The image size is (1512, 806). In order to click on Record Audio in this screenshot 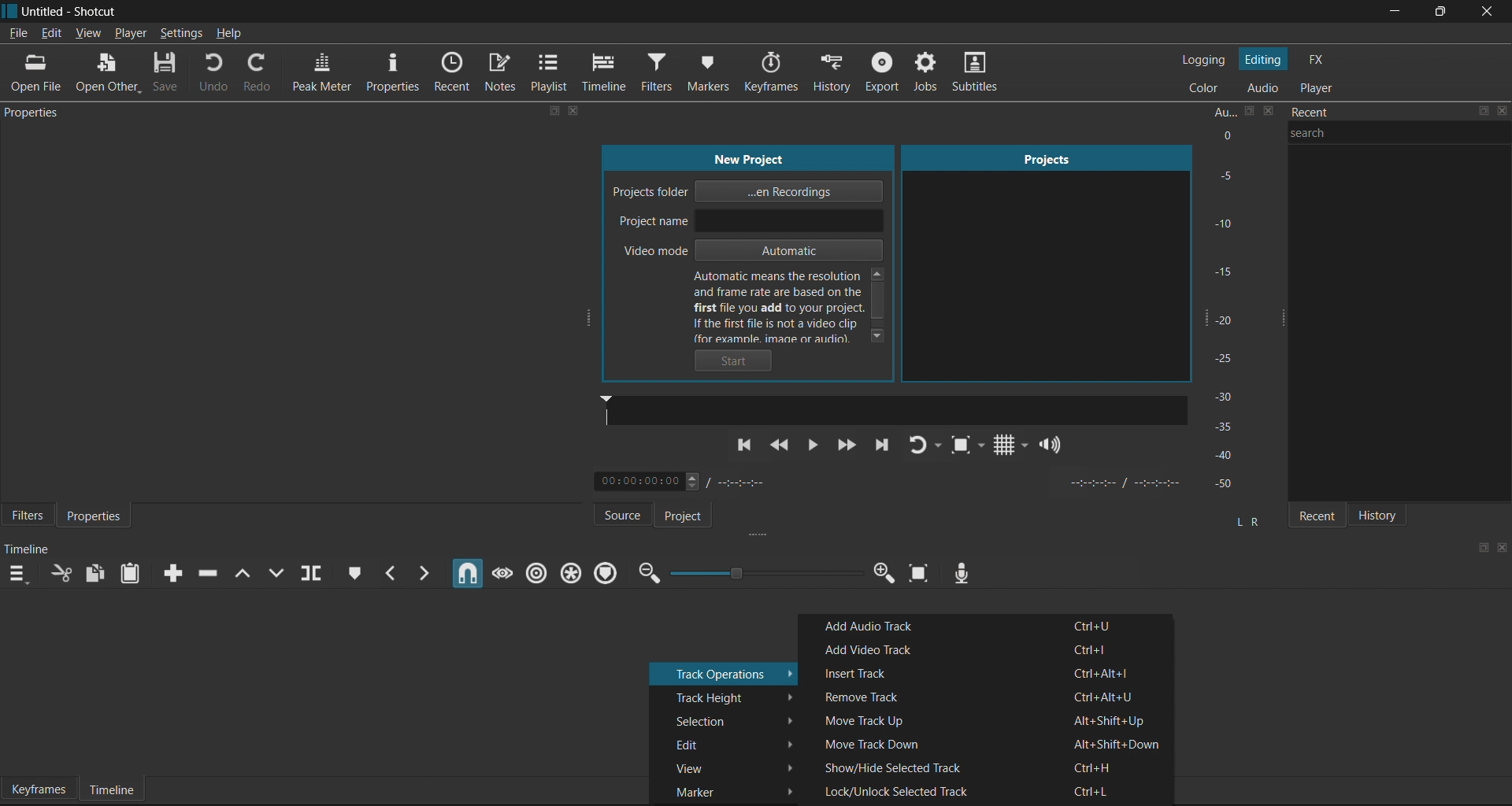, I will do `click(960, 571)`.